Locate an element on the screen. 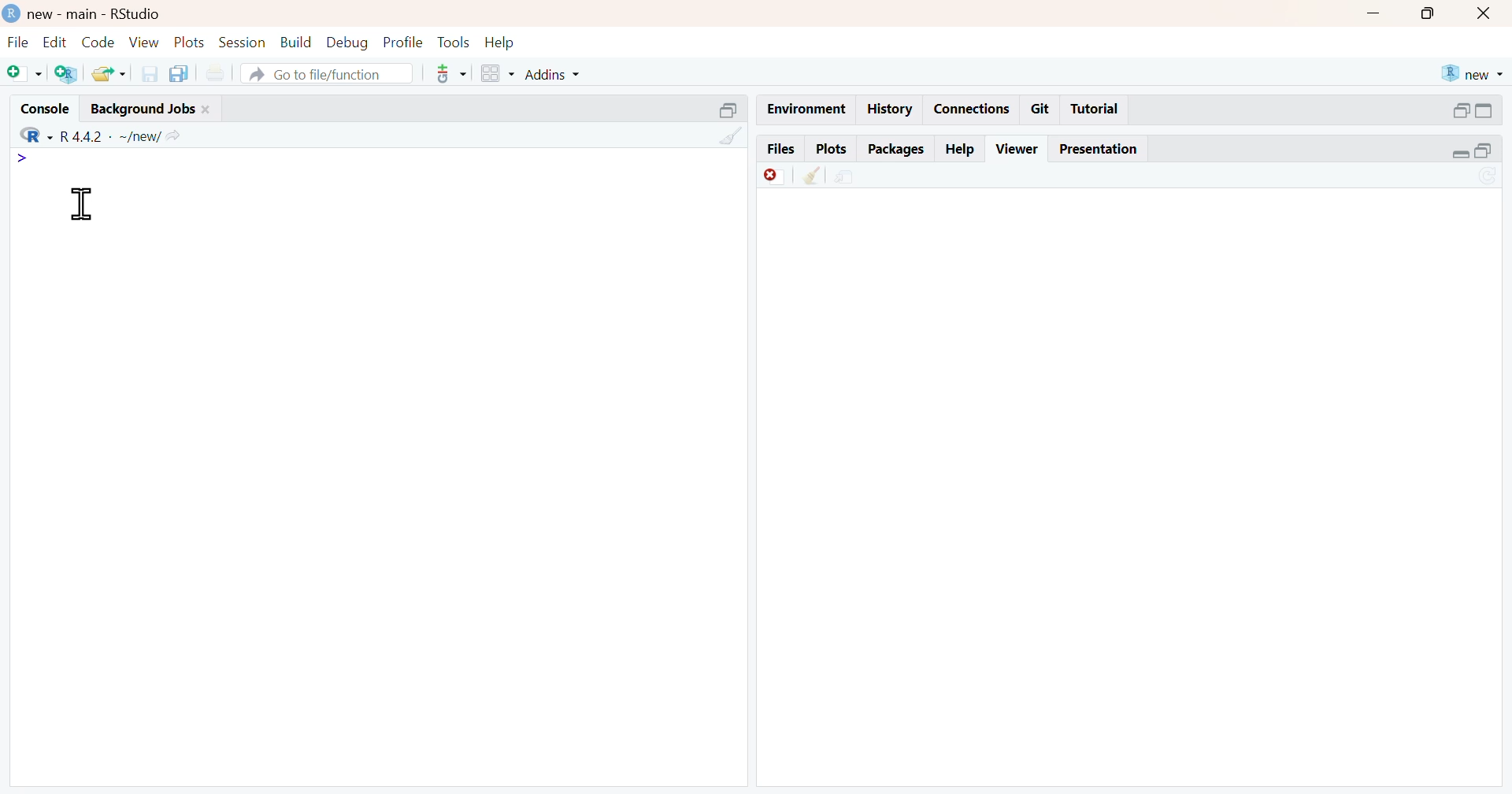  tutorial is located at coordinates (1095, 111).